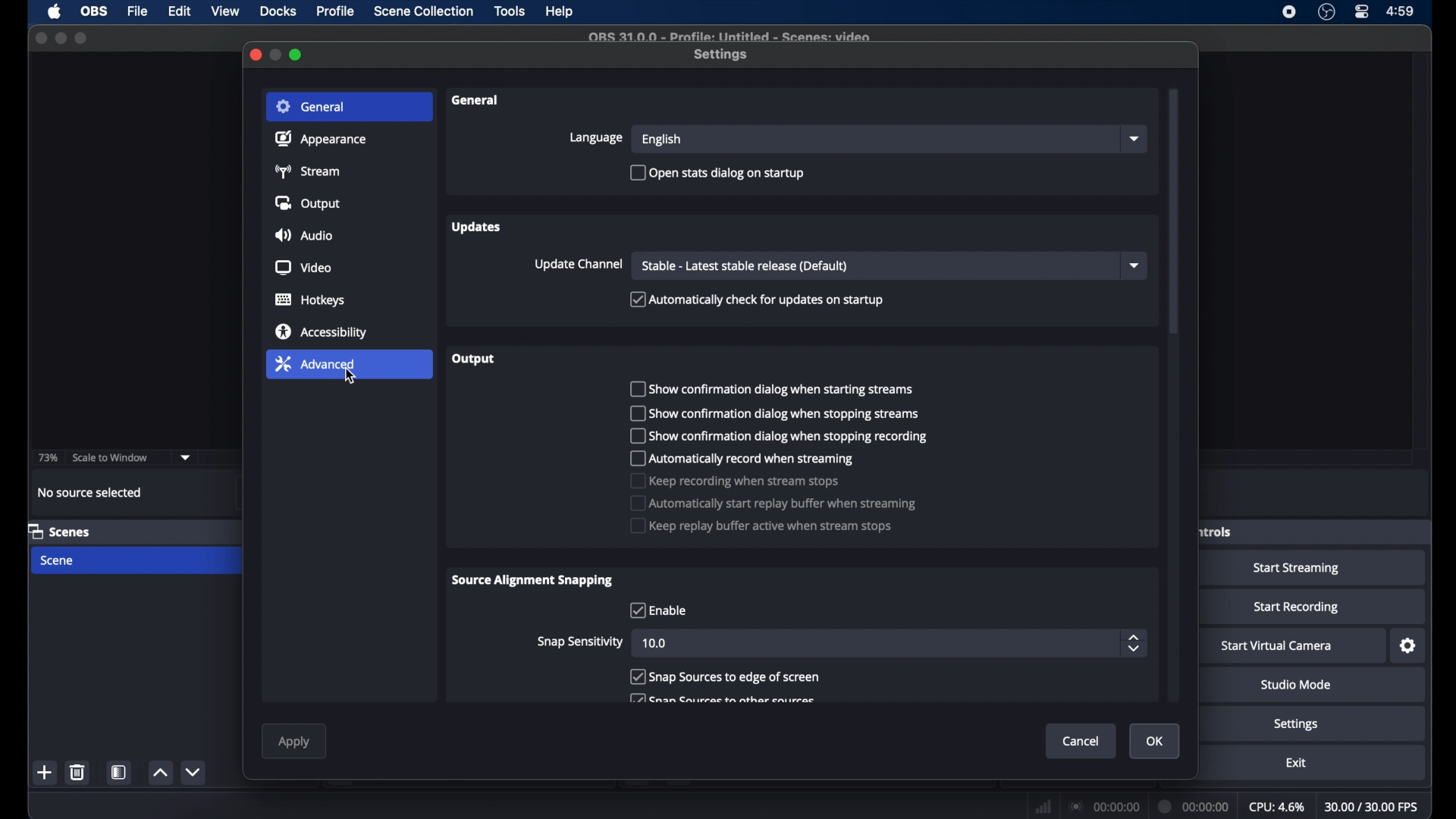 The image size is (1456, 819). I want to click on no source selected, so click(89, 491).